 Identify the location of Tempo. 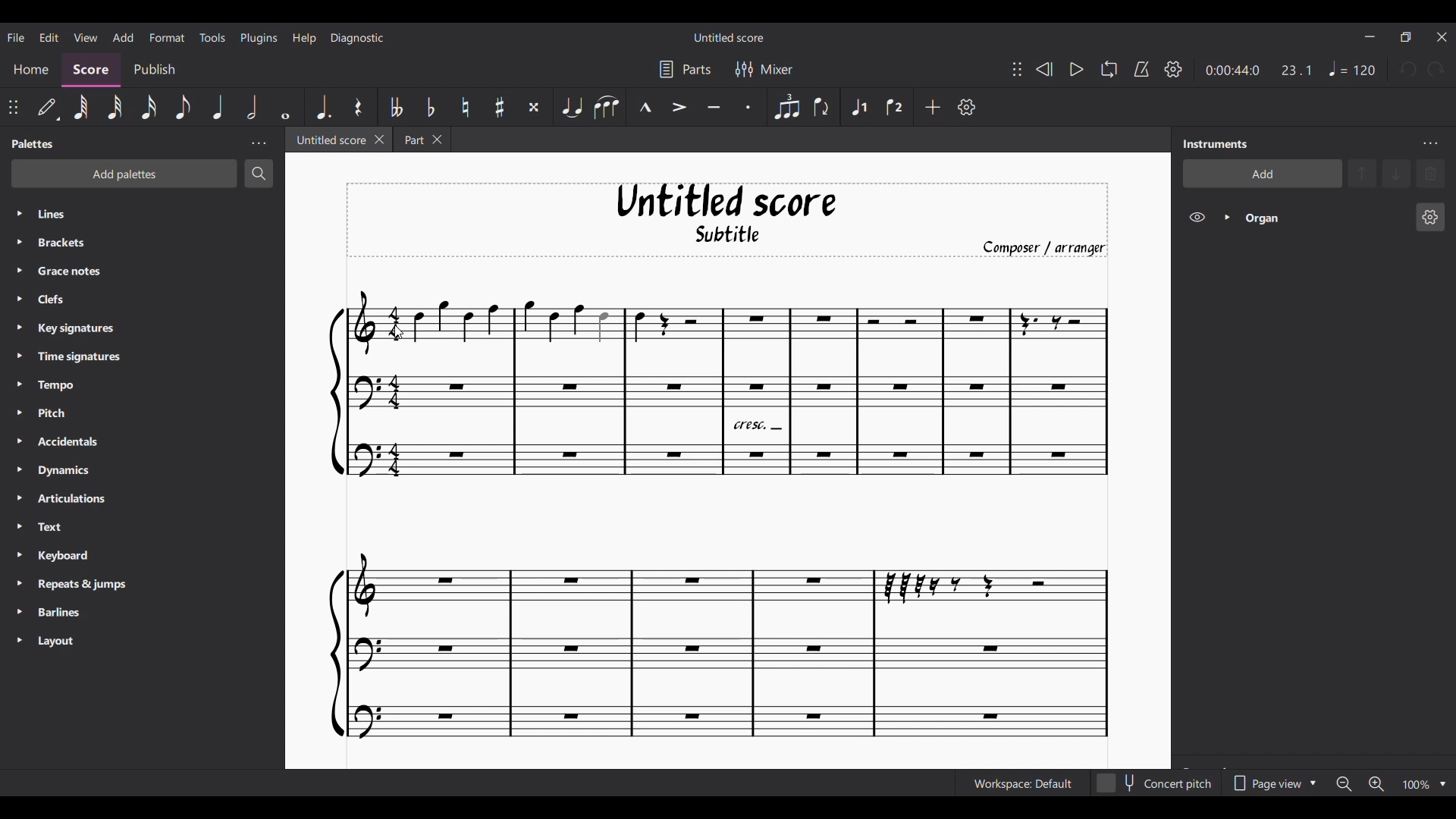
(1351, 68).